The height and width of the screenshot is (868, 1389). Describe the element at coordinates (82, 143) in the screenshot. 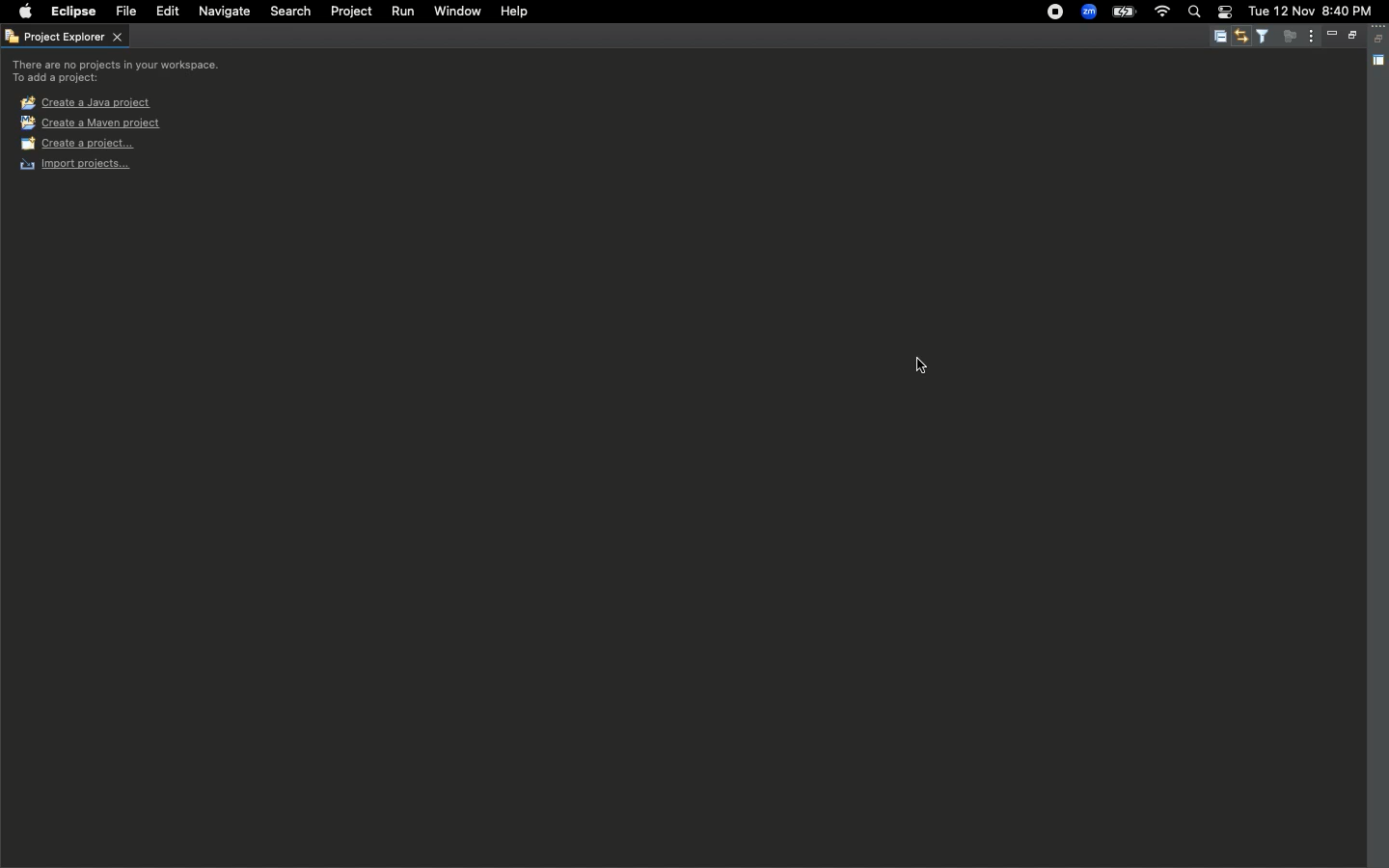

I see `Create a project` at that location.